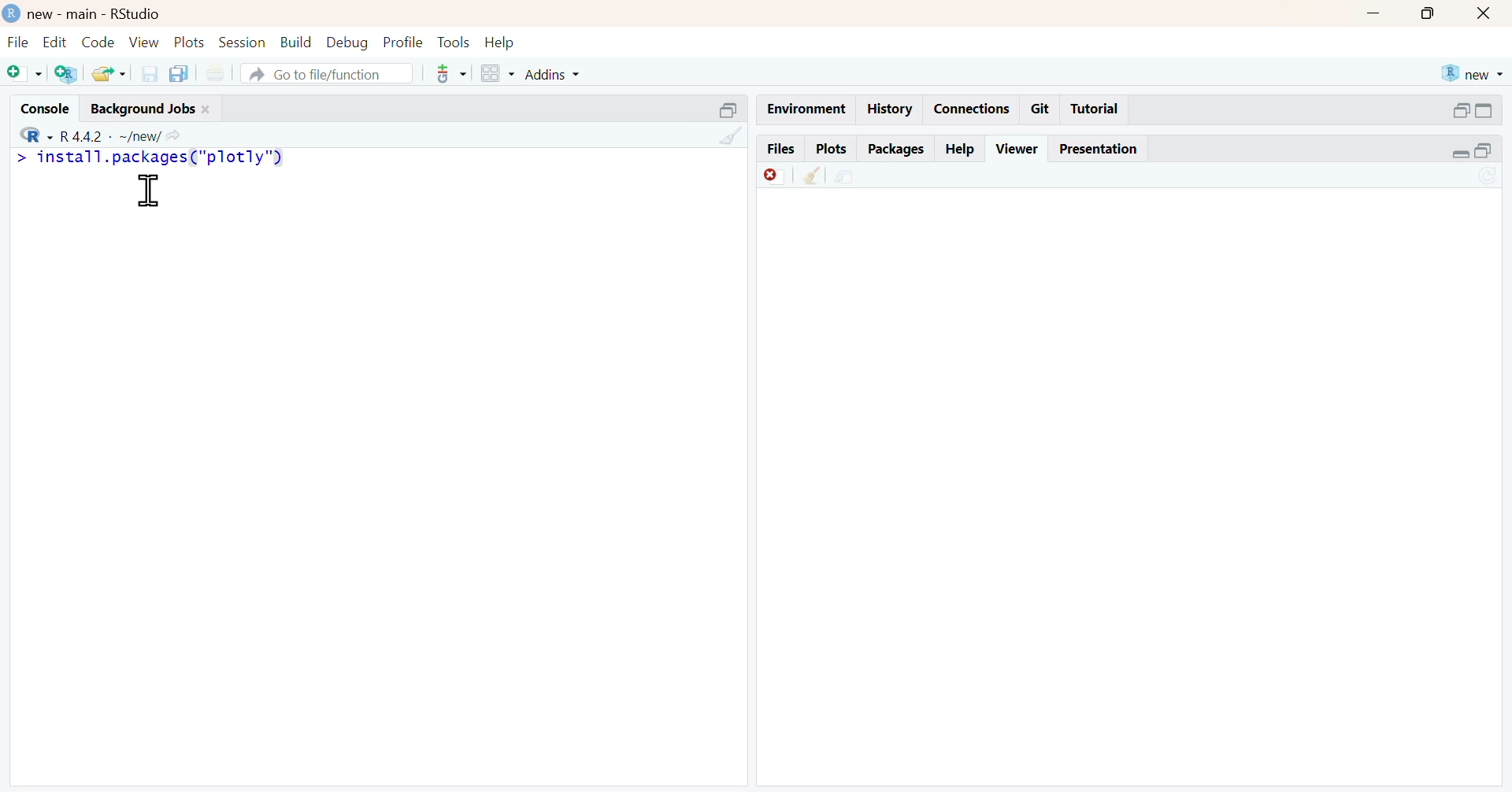 This screenshot has height=792, width=1512. Describe the element at coordinates (803, 108) in the screenshot. I see `environment` at that location.